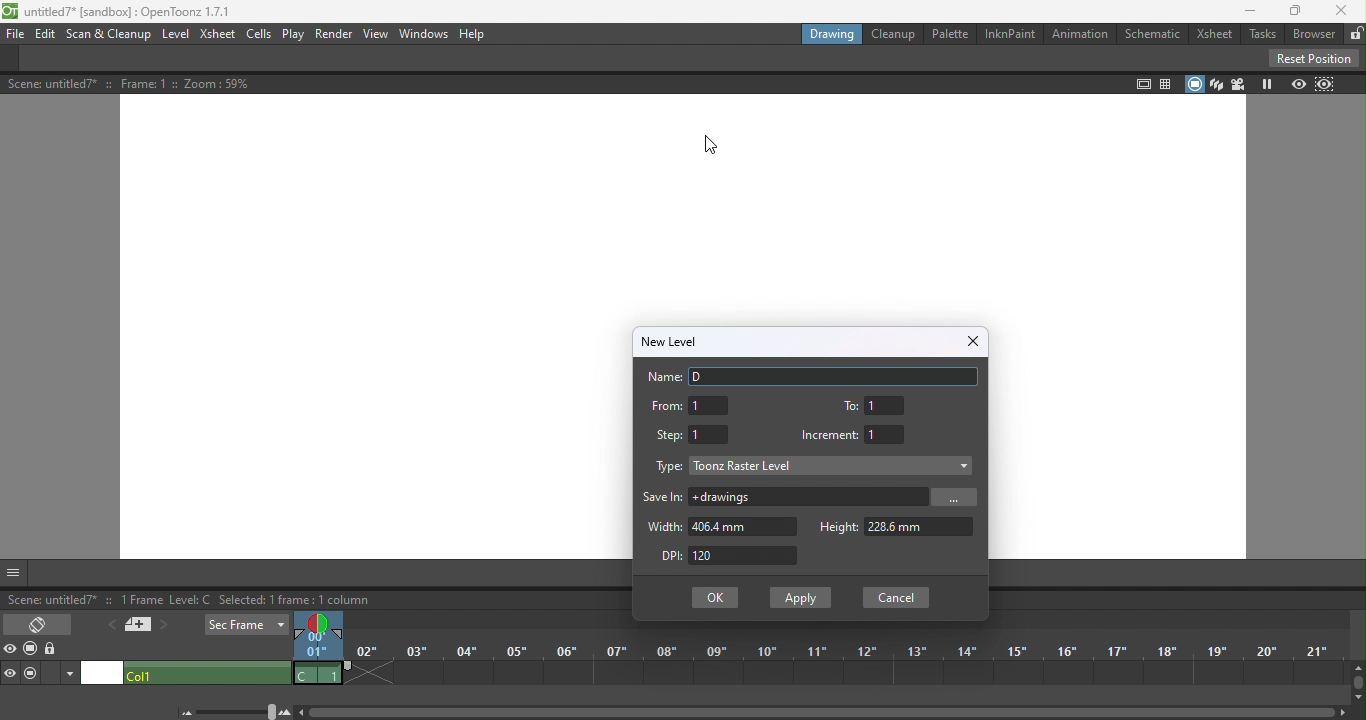 The image size is (1366, 720). I want to click on Preview, so click(1299, 85).